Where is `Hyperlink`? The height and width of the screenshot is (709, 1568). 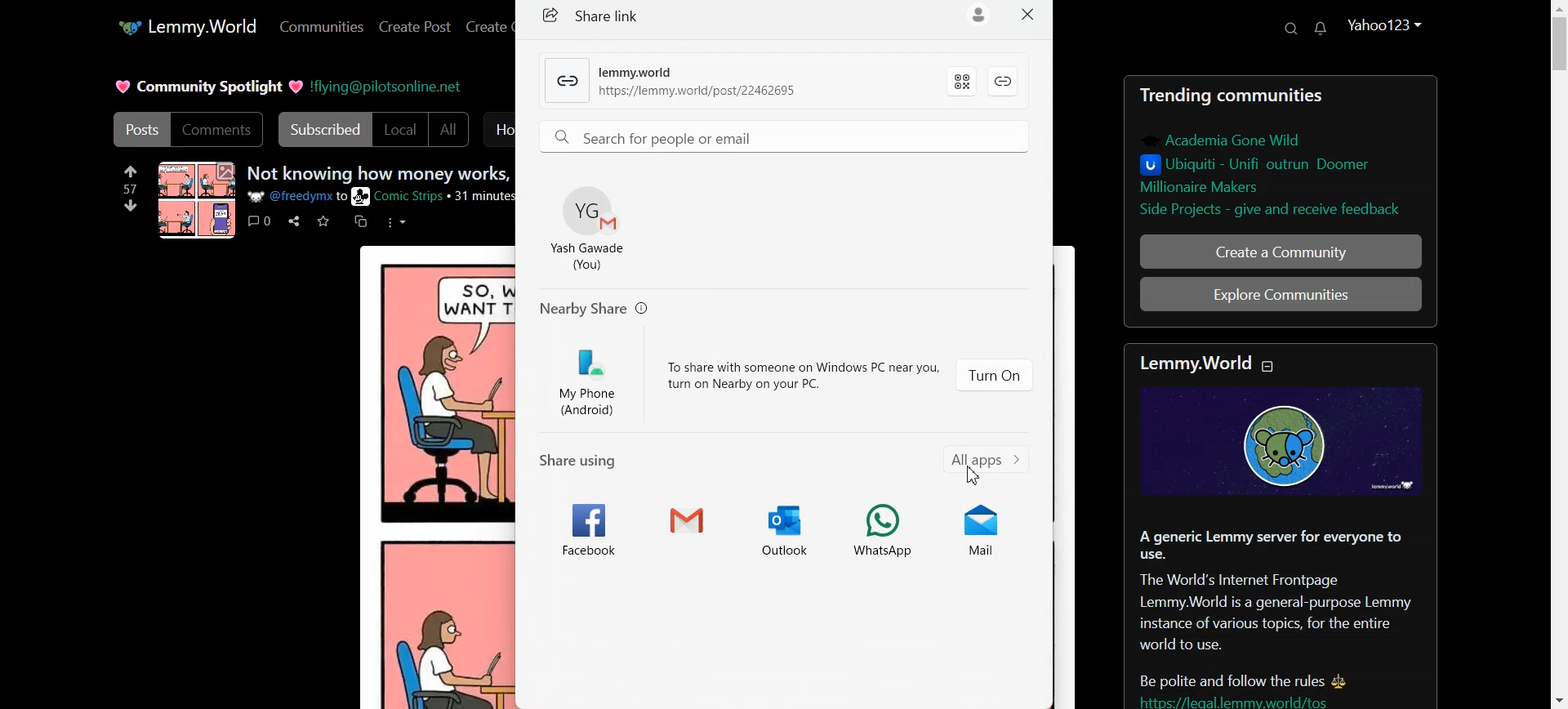 Hyperlink is located at coordinates (386, 85).